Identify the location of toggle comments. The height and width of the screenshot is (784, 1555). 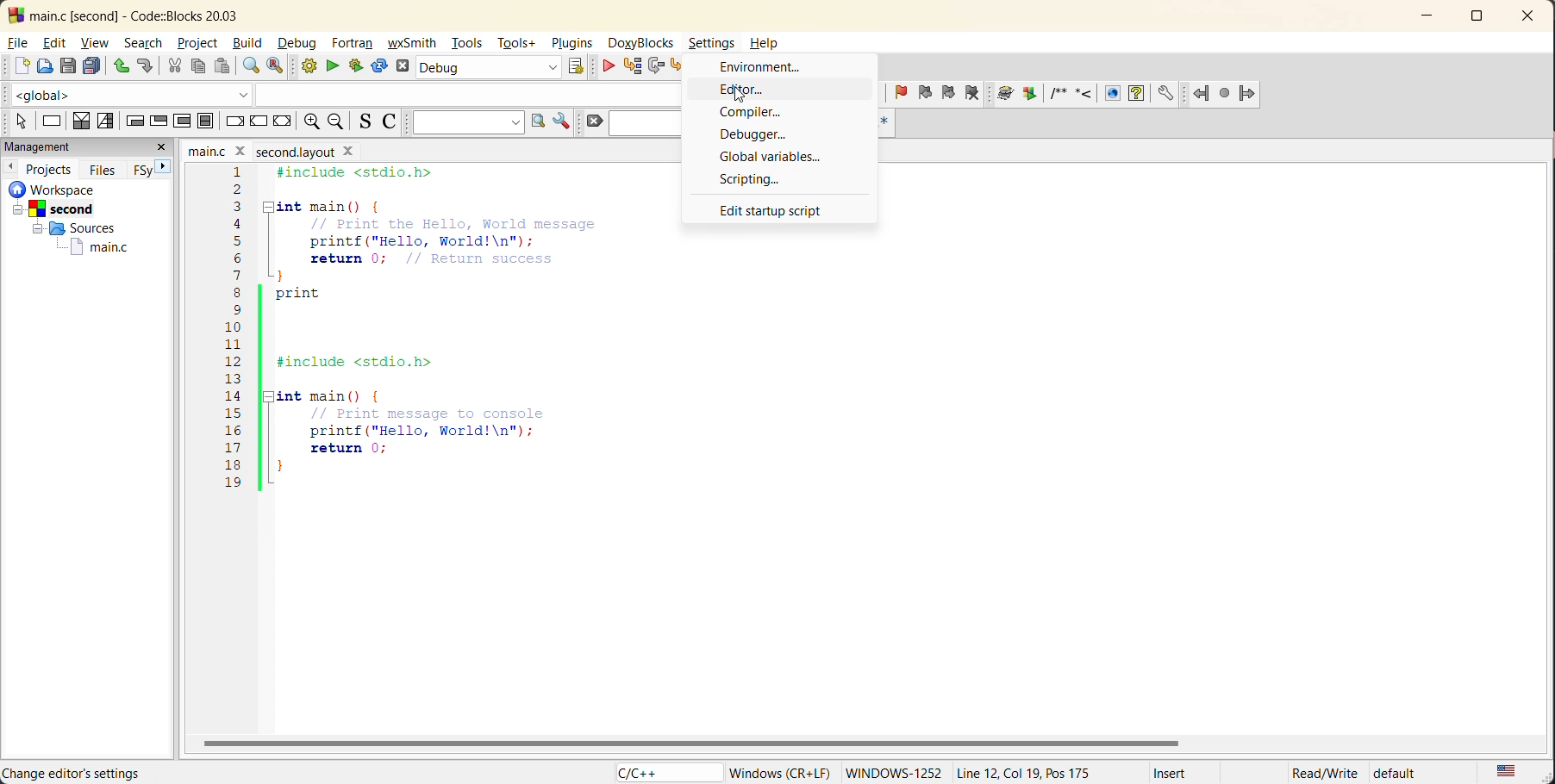
(392, 123).